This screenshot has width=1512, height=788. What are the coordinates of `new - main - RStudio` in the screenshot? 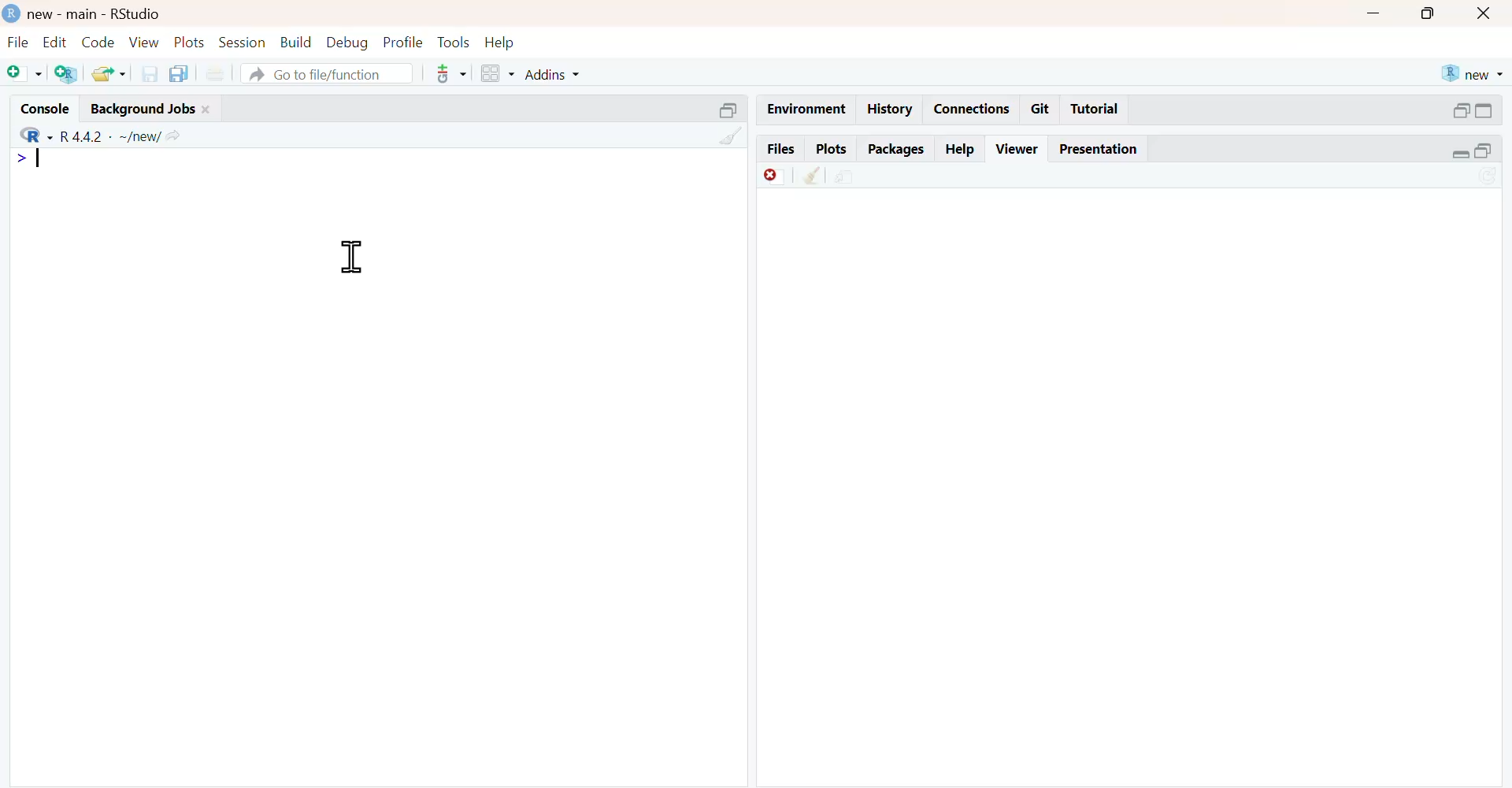 It's located at (97, 15).